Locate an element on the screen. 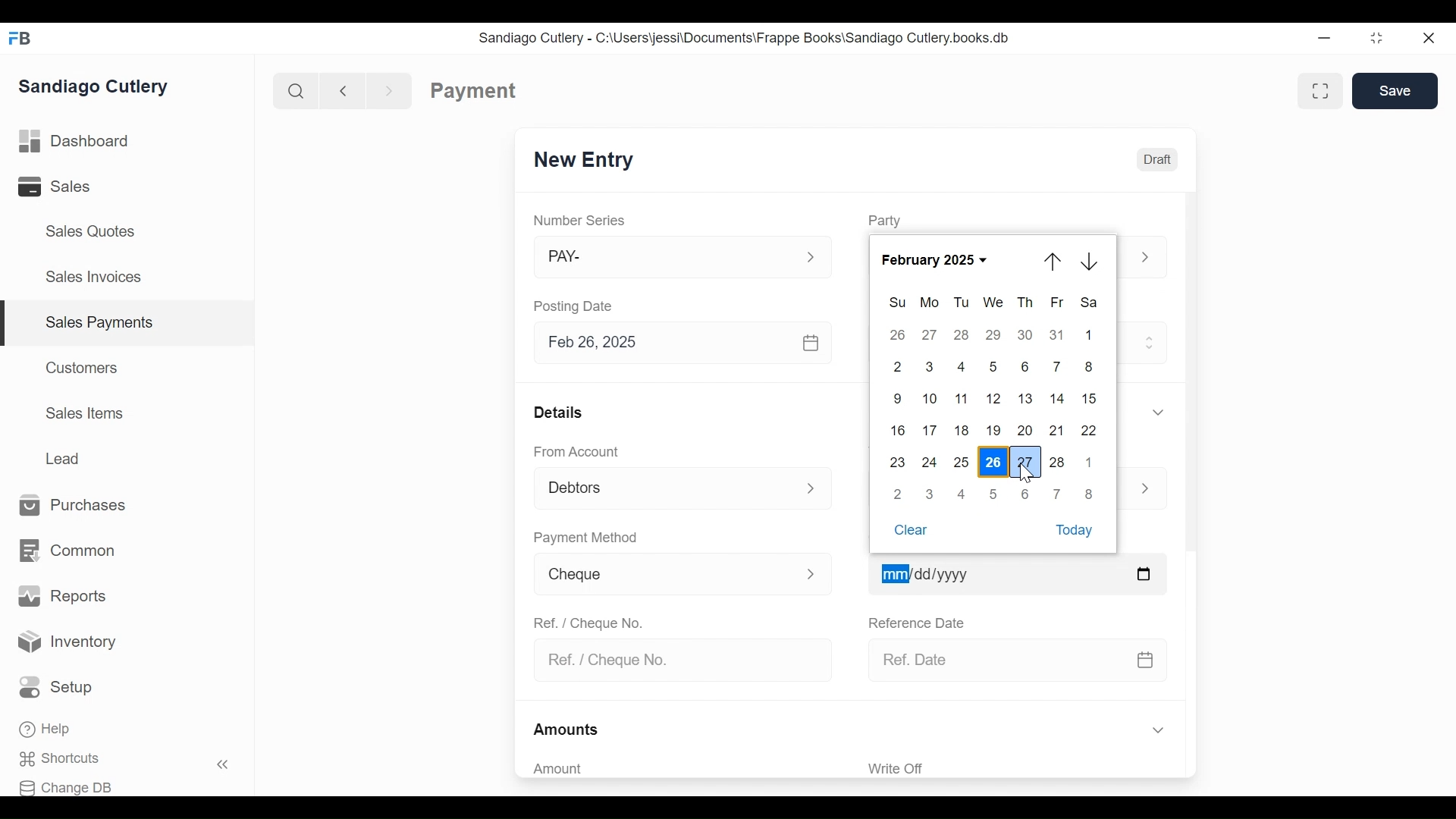  Sales Items is located at coordinates (85, 413).